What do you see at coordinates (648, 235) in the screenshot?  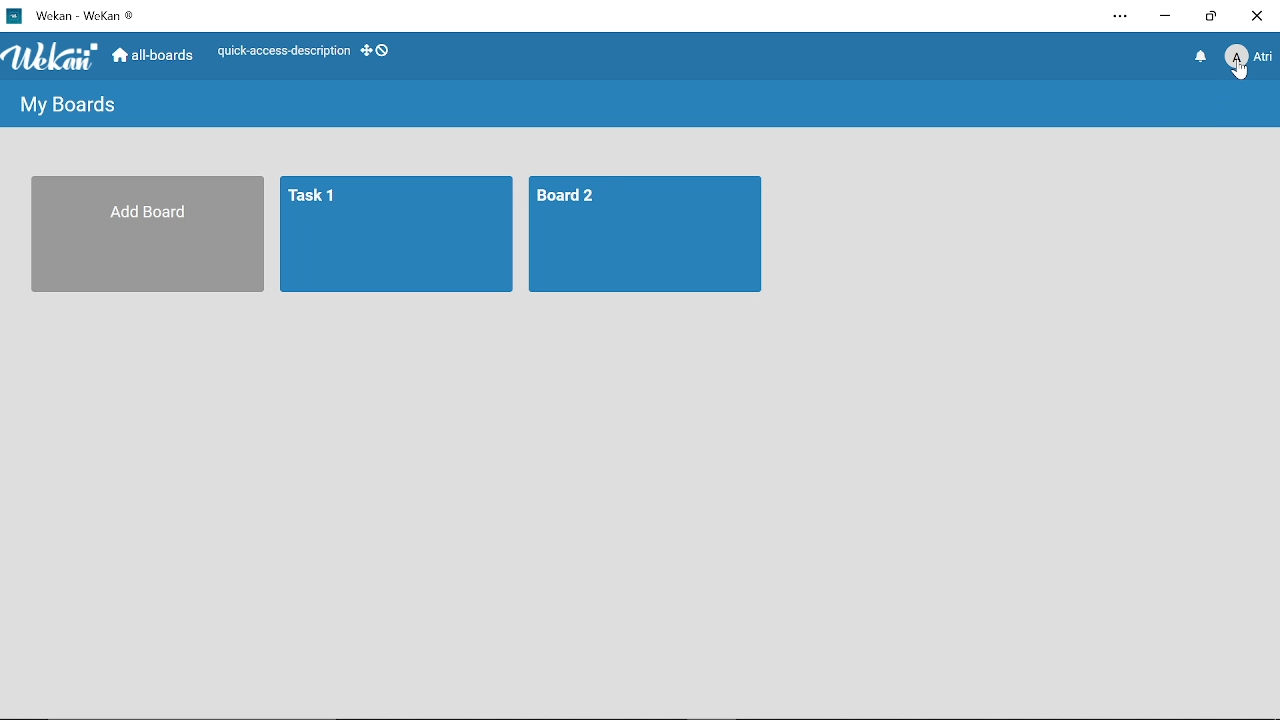 I see `Board titled "Board 2"` at bounding box center [648, 235].